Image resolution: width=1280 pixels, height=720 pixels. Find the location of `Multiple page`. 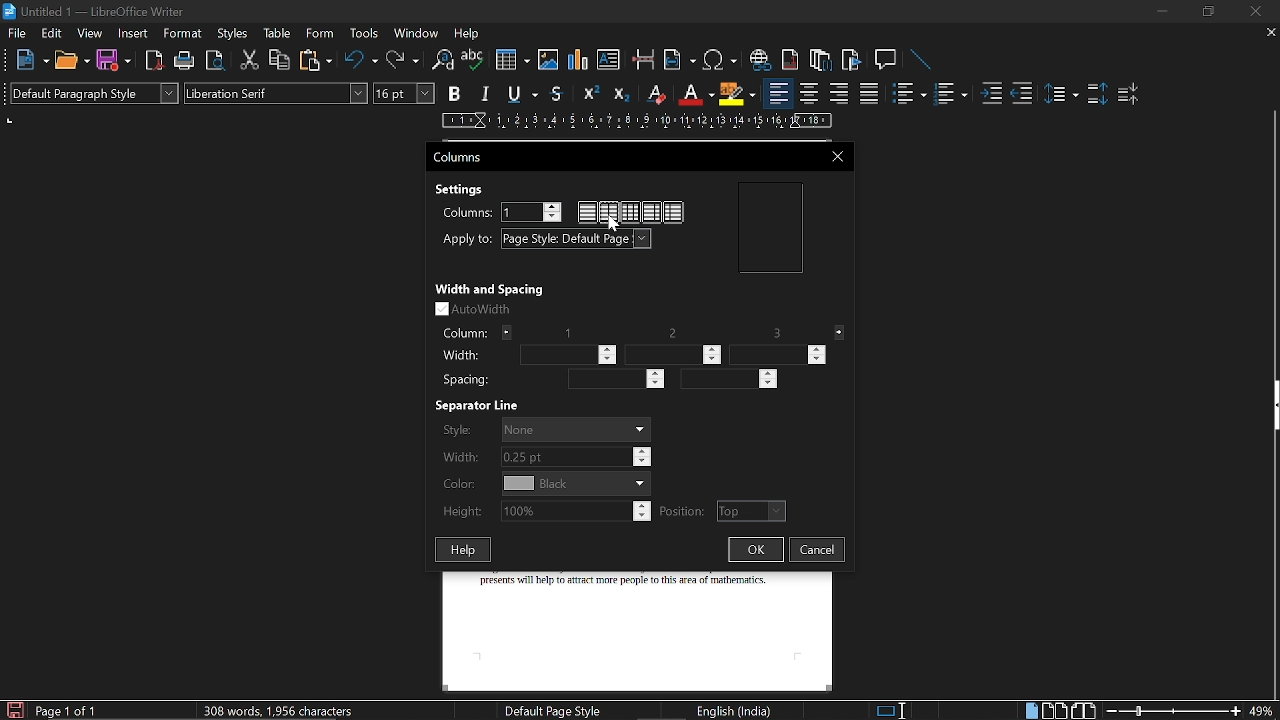

Multiple page is located at coordinates (1057, 709).